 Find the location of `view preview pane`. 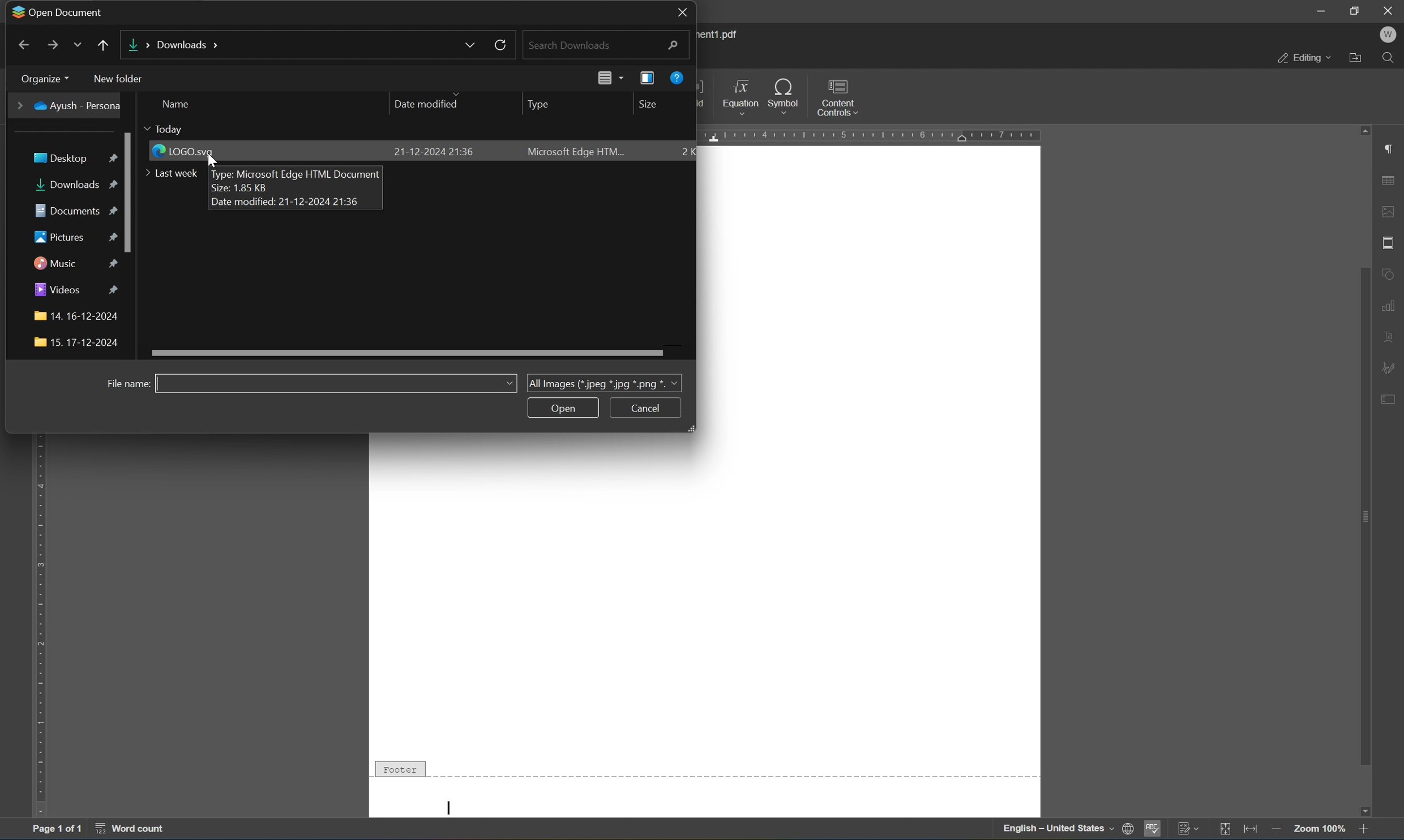

view preview pane is located at coordinates (649, 78).